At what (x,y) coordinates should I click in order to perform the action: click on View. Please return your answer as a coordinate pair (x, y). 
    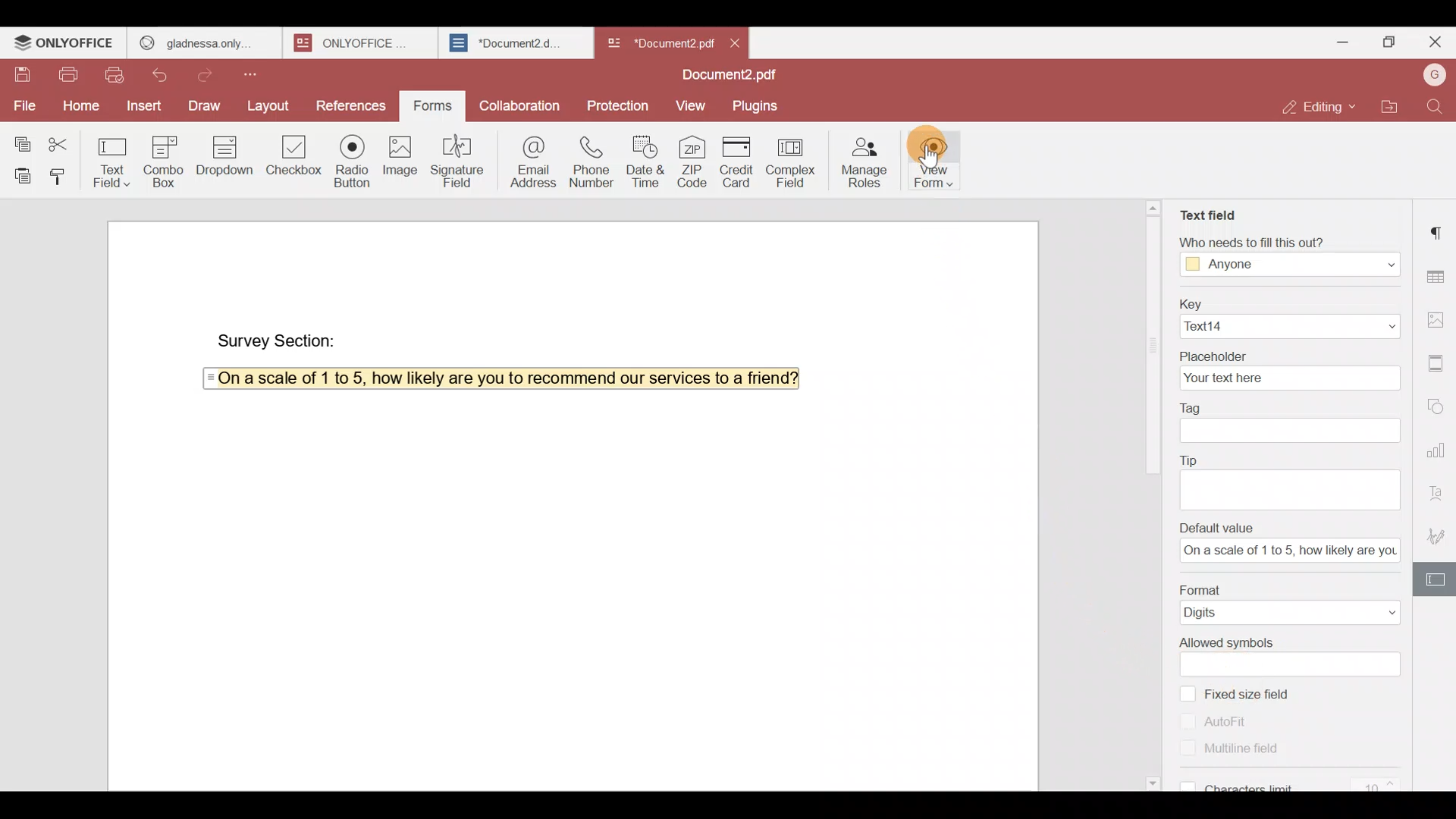
    Looking at the image, I should click on (687, 104).